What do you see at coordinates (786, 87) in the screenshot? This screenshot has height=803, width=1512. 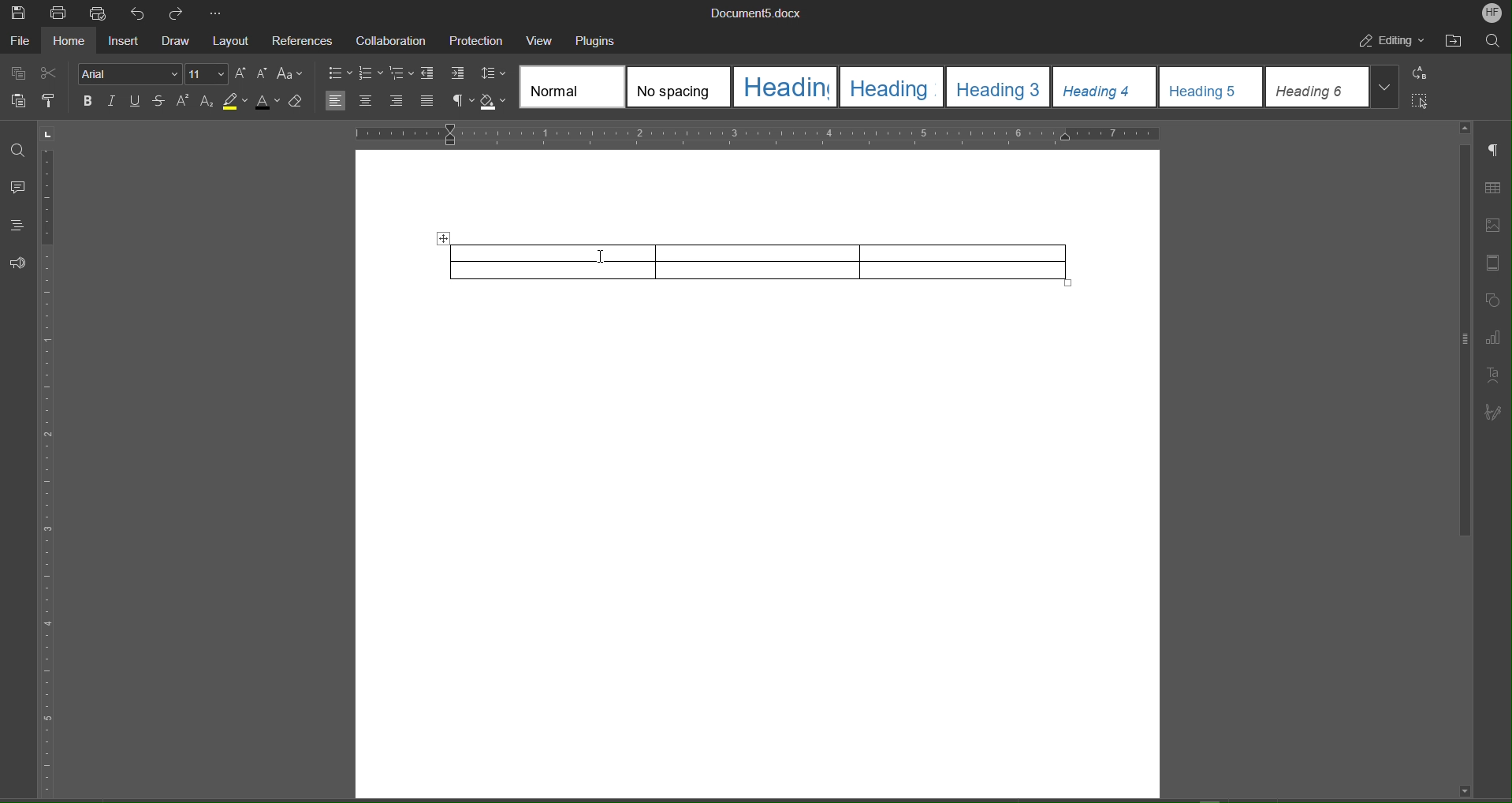 I see `heading 1` at bounding box center [786, 87].